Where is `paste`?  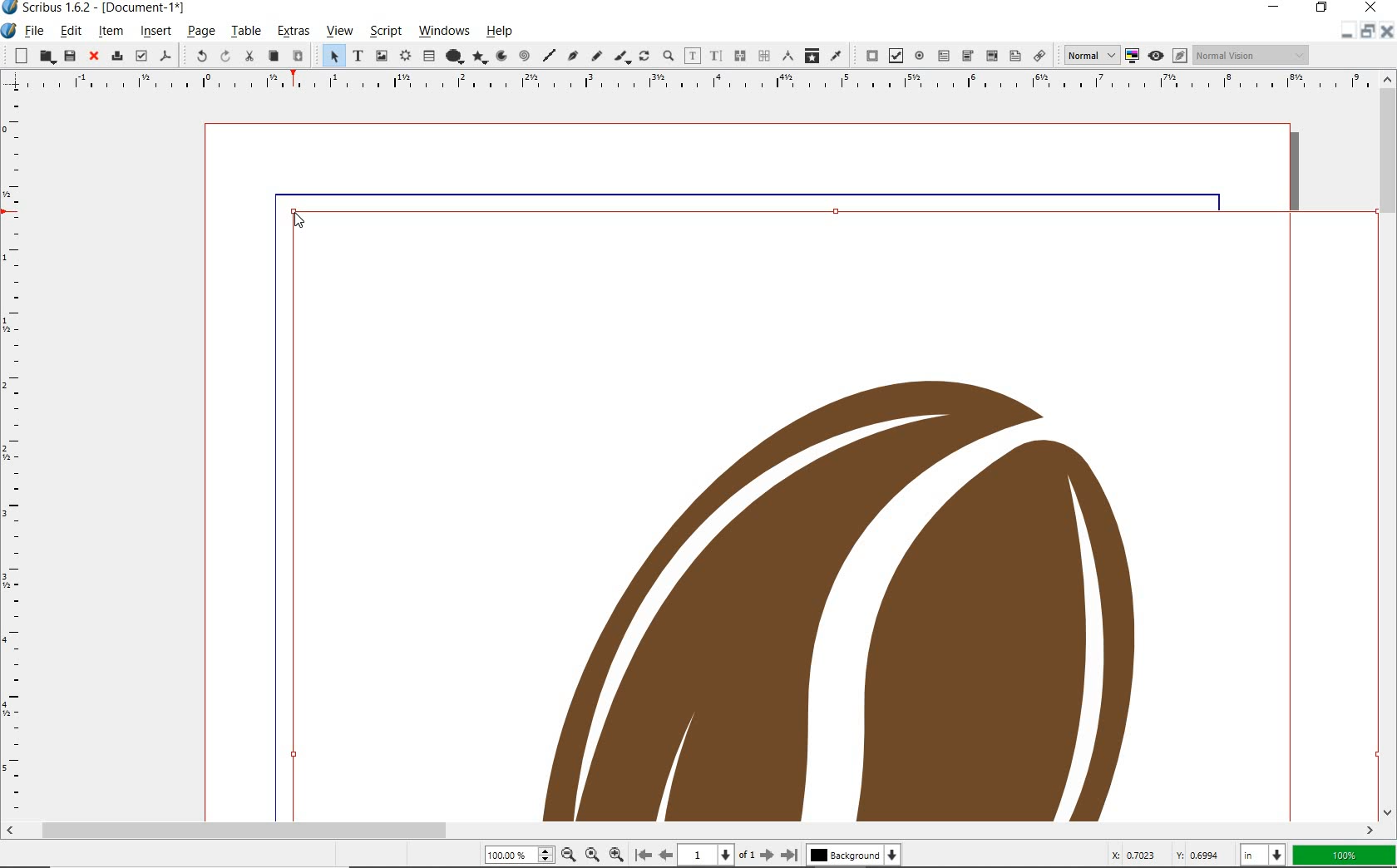 paste is located at coordinates (297, 55).